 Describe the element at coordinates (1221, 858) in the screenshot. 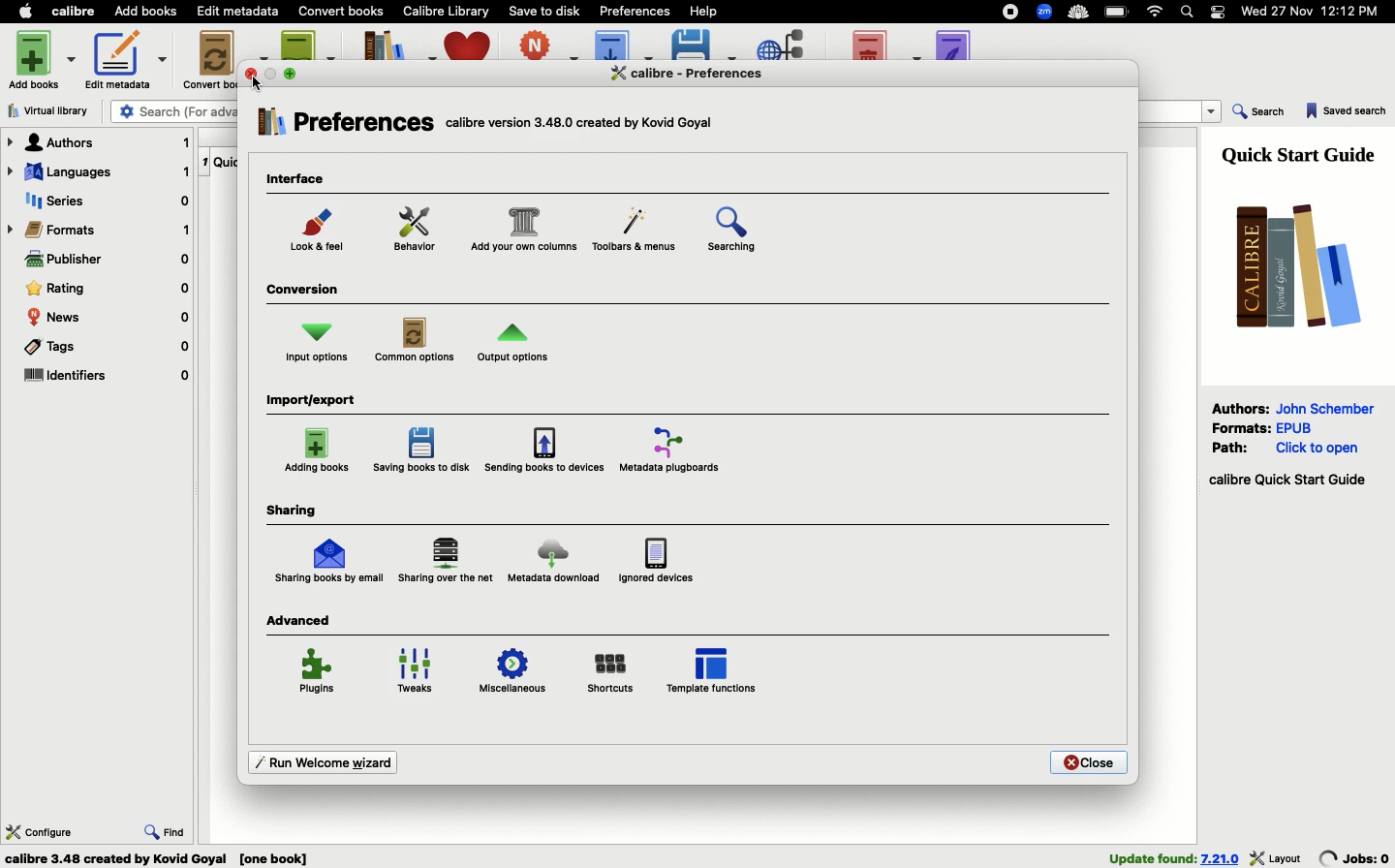

I see `version` at that location.